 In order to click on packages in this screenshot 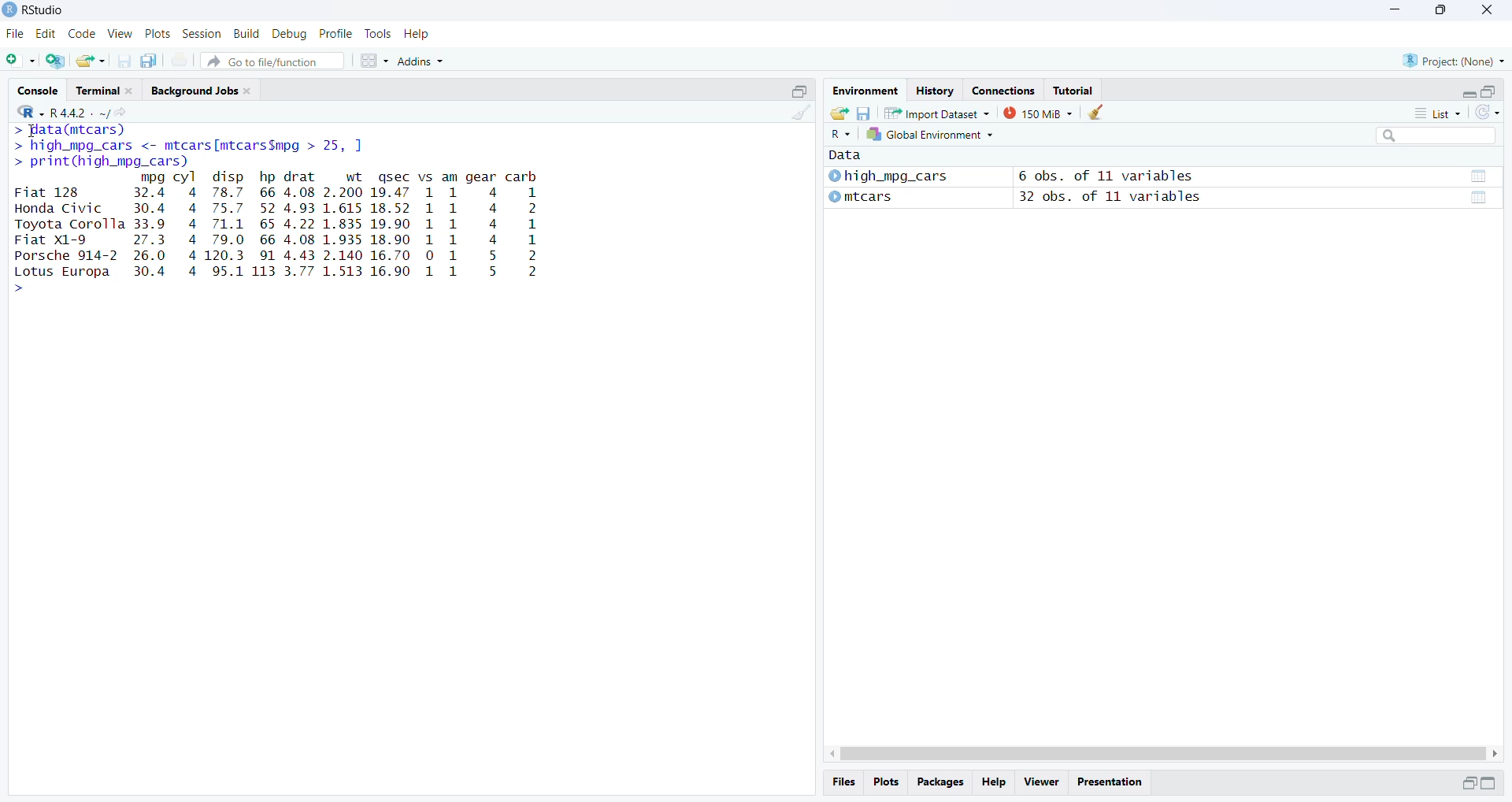, I will do `click(939, 783)`.